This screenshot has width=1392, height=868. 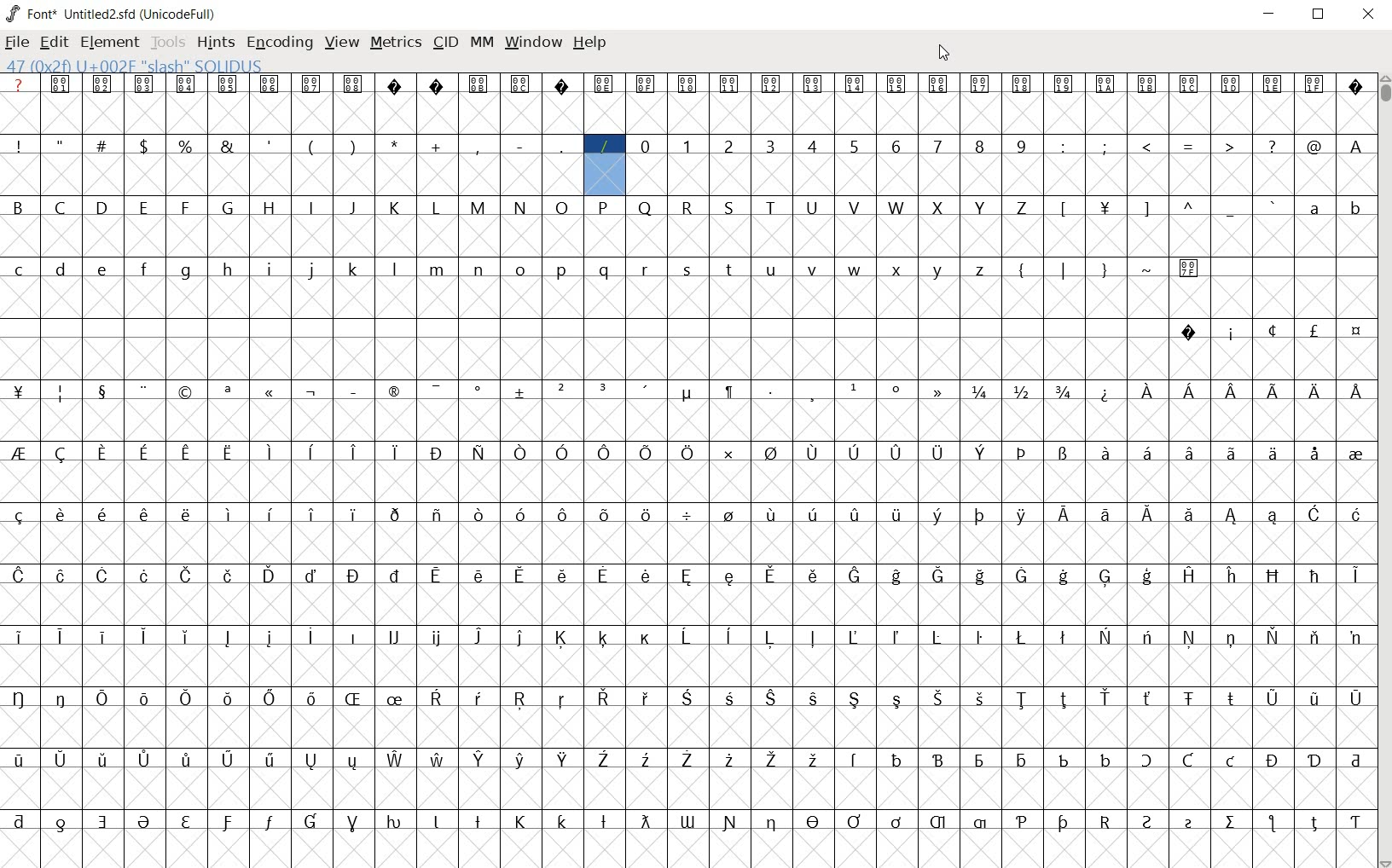 What do you see at coordinates (1064, 209) in the screenshot?
I see `glyph` at bounding box center [1064, 209].